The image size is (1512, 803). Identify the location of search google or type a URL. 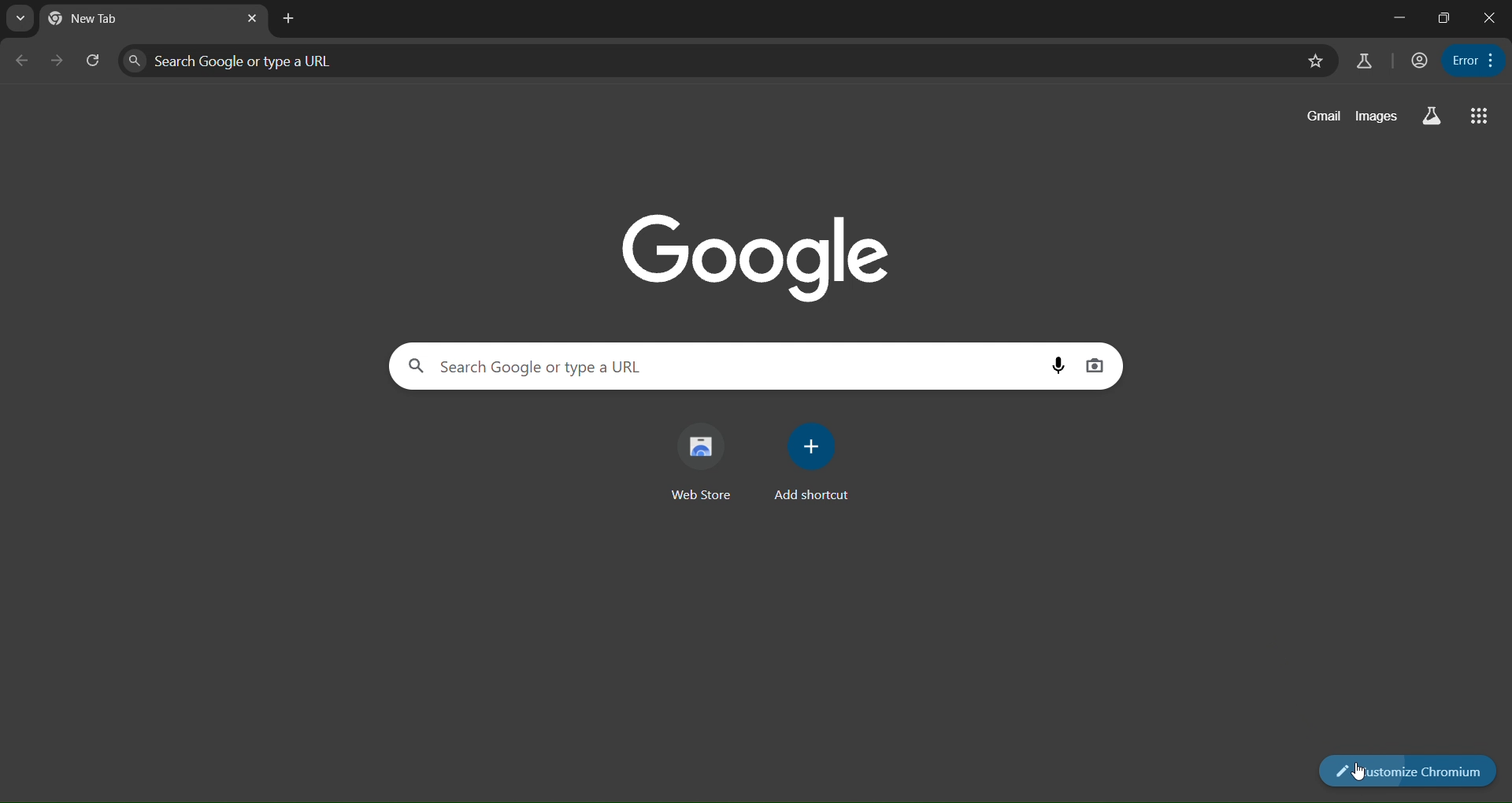
(704, 60).